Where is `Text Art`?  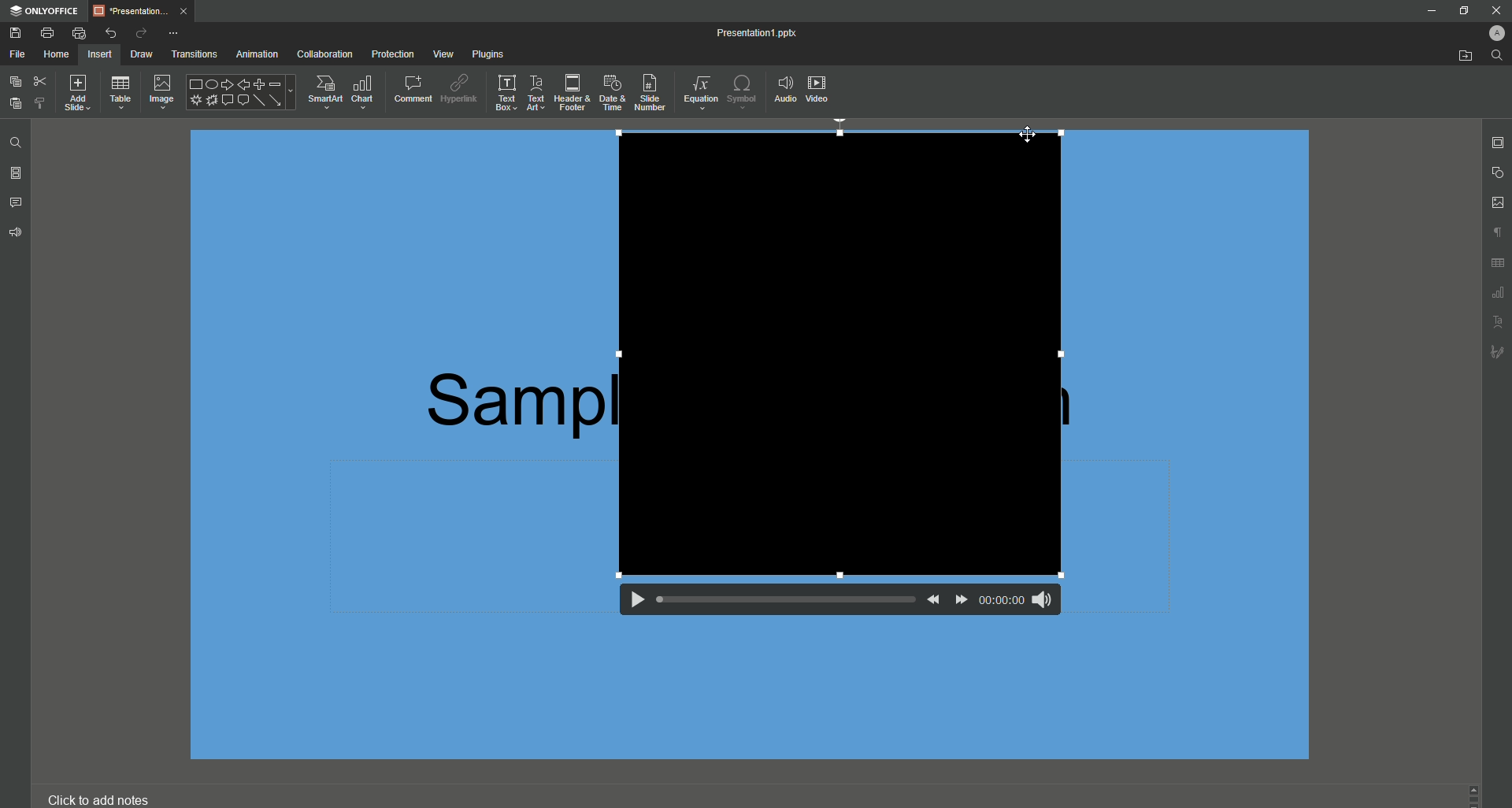
Text Art is located at coordinates (535, 93).